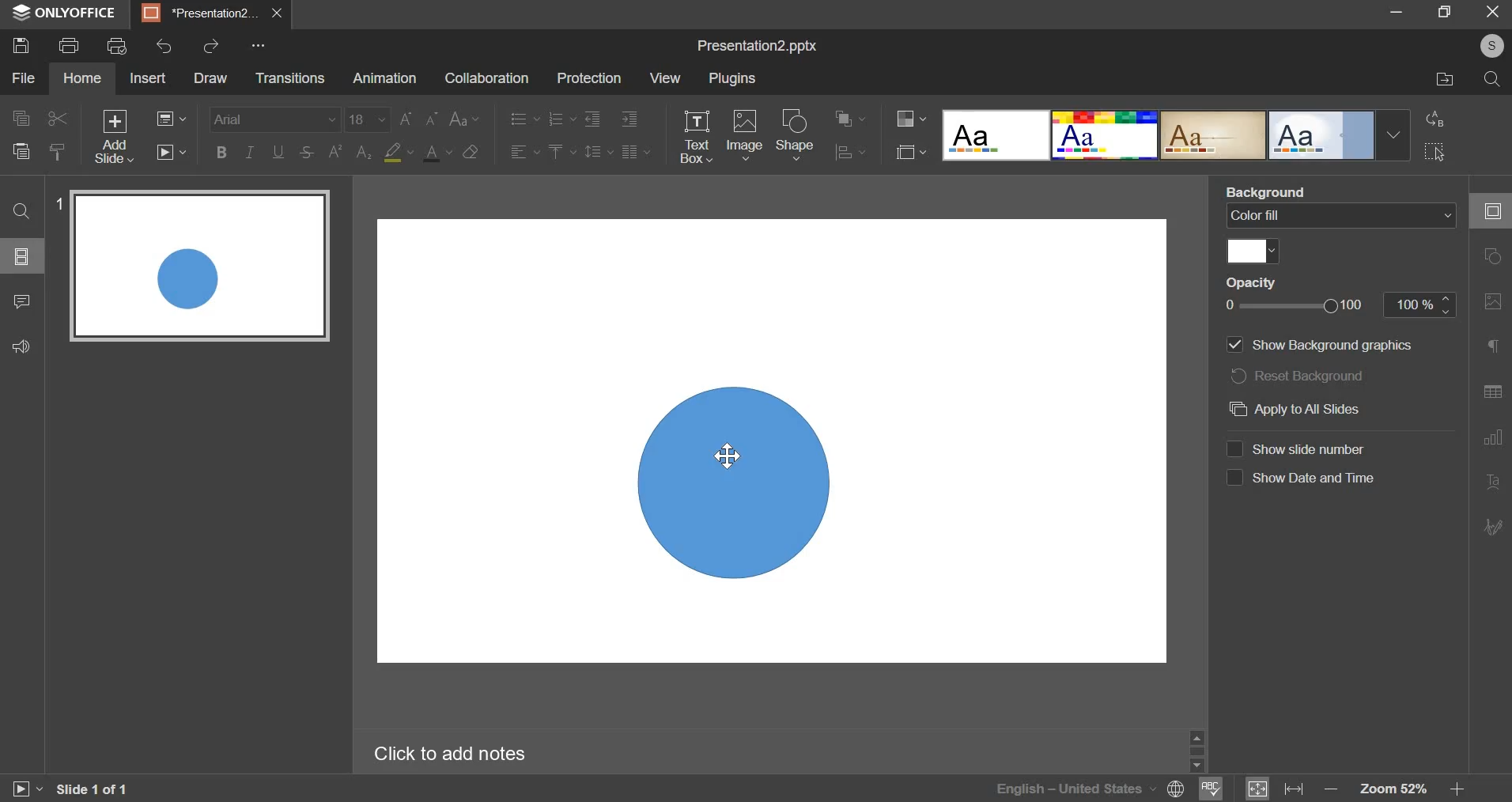  I want to click on undo, so click(165, 47).